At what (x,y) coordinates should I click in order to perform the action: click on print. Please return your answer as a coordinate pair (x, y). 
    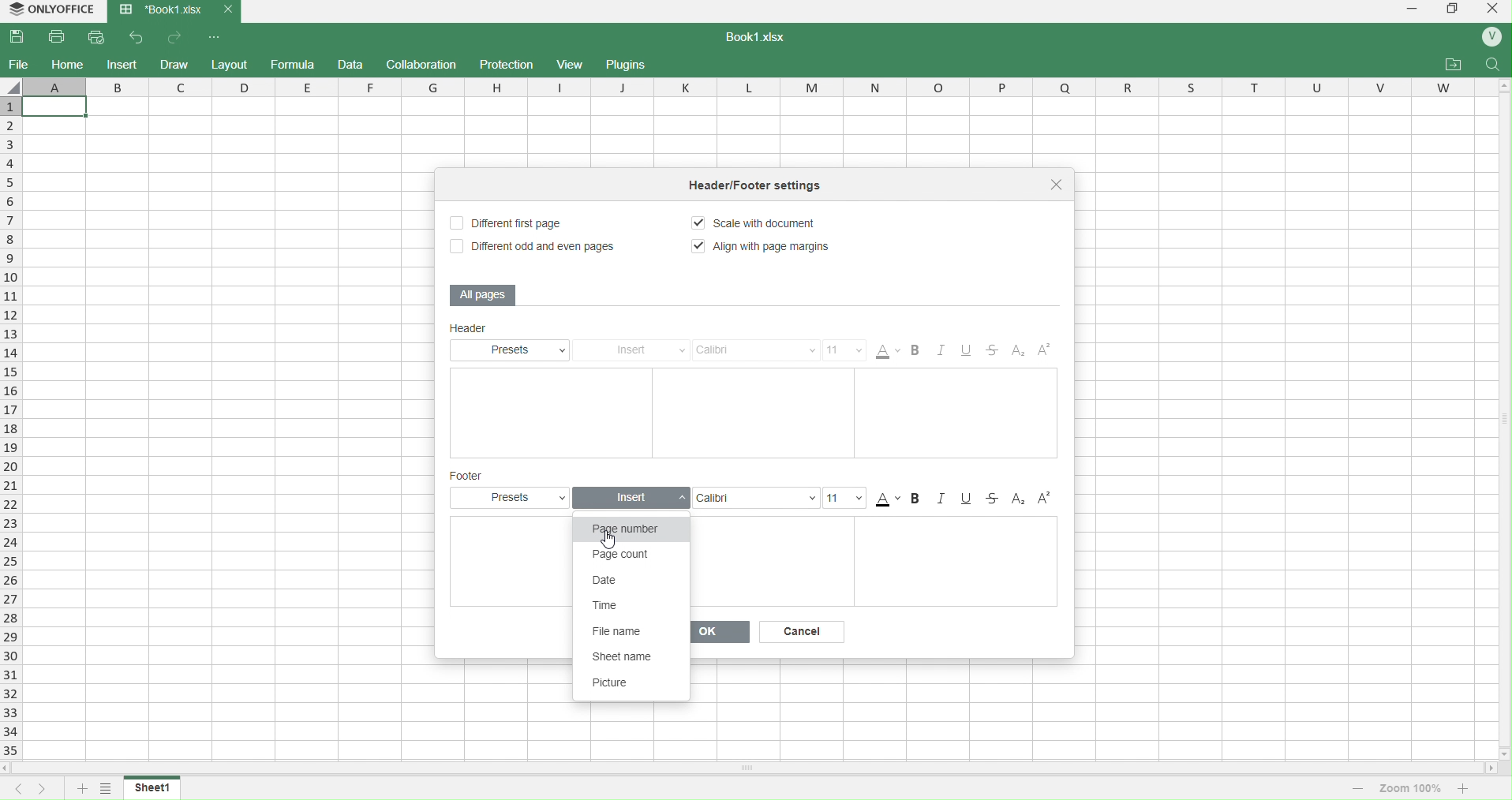
    Looking at the image, I should click on (58, 36).